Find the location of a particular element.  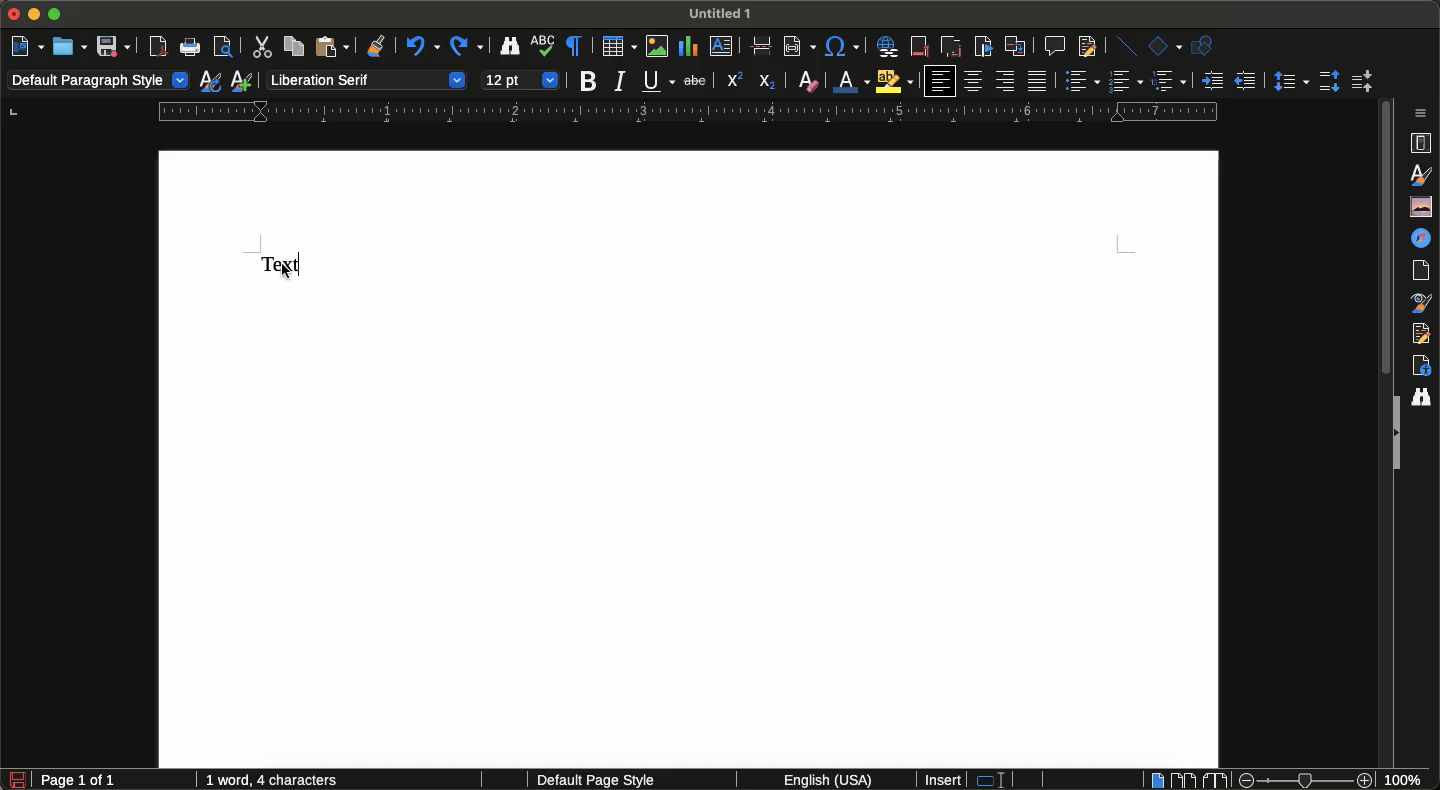

Insert comment is located at coordinates (1053, 45).